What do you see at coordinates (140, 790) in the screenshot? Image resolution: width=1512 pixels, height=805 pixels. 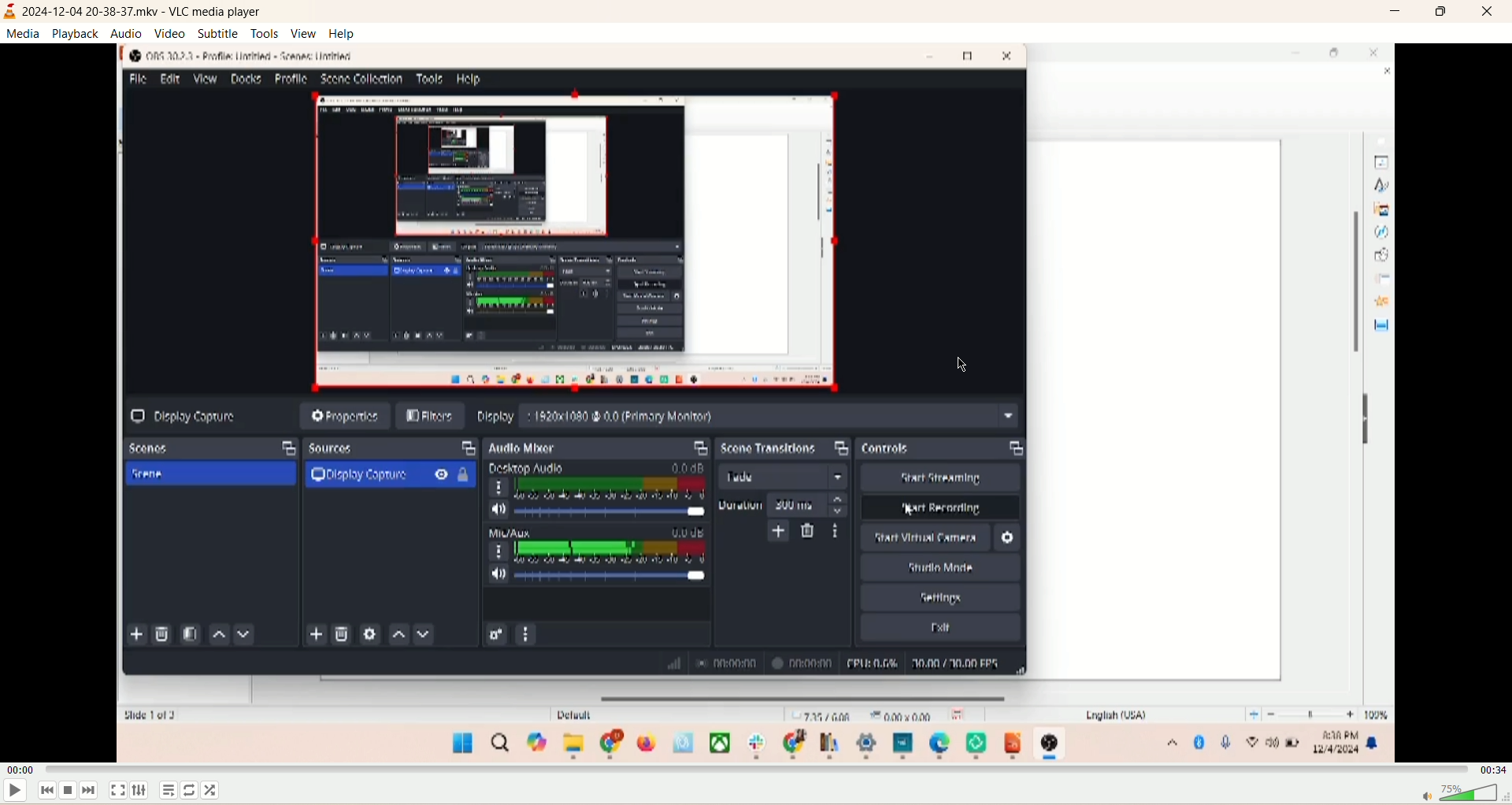 I see `extended settings` at bounding box center [140, 790].